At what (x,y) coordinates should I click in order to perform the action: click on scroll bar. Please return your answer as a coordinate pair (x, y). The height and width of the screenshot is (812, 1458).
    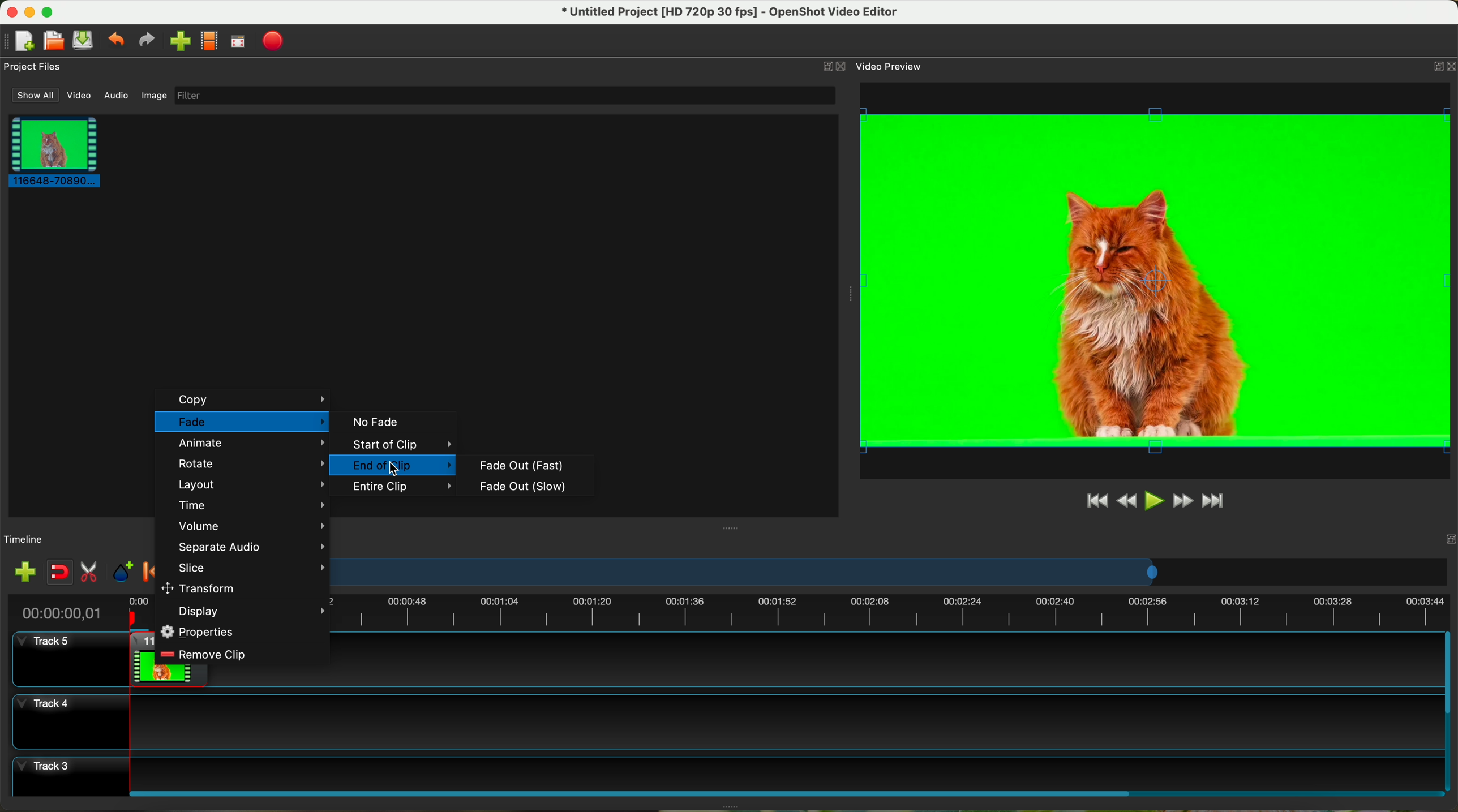
    Looking at the image, I should click on (784, 792).